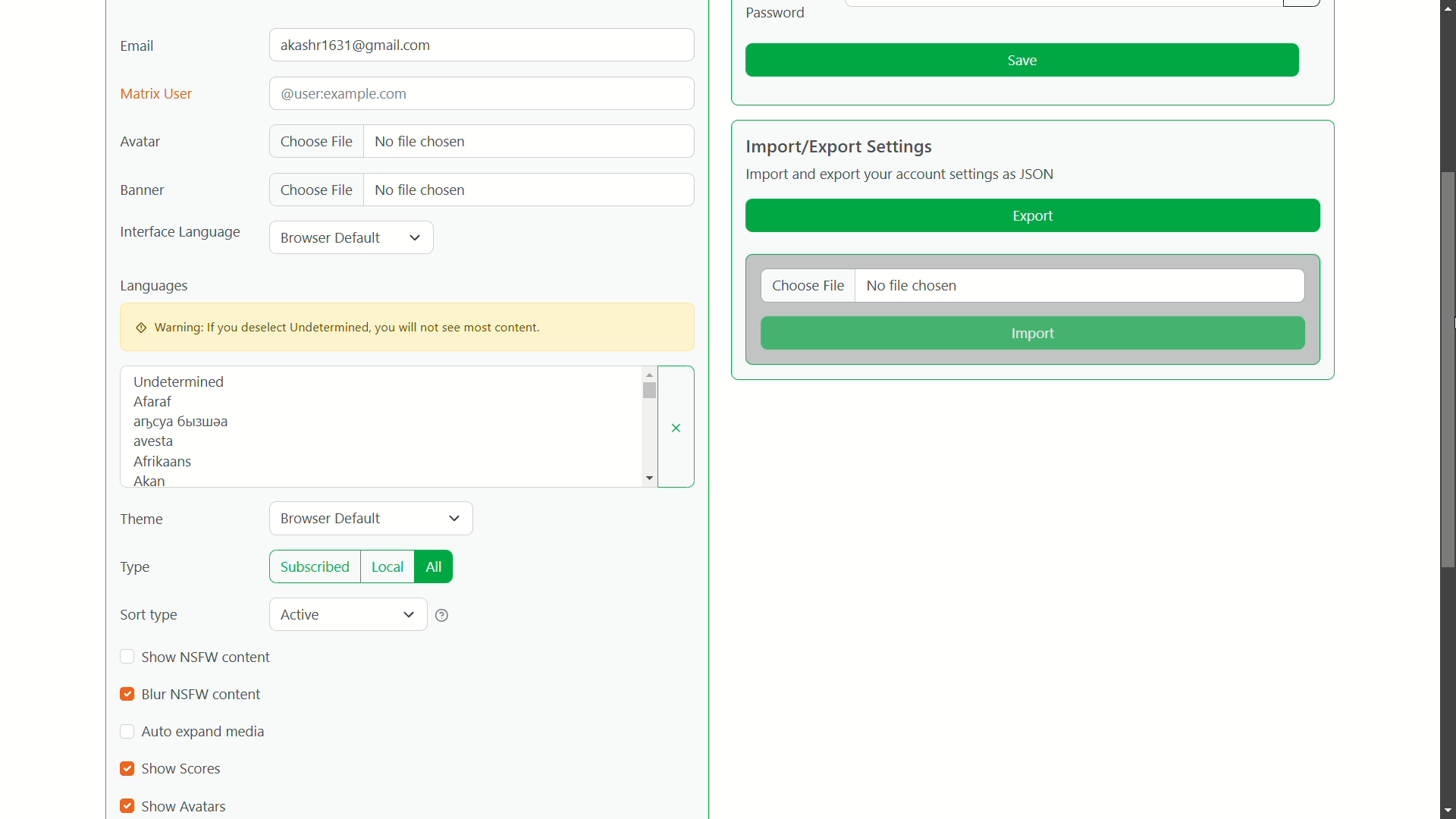 The width and height of the screenshot is (1456, 819). Describe the element at coordinates (128, 657) in the screenshot. I see `checkbox` at that location.